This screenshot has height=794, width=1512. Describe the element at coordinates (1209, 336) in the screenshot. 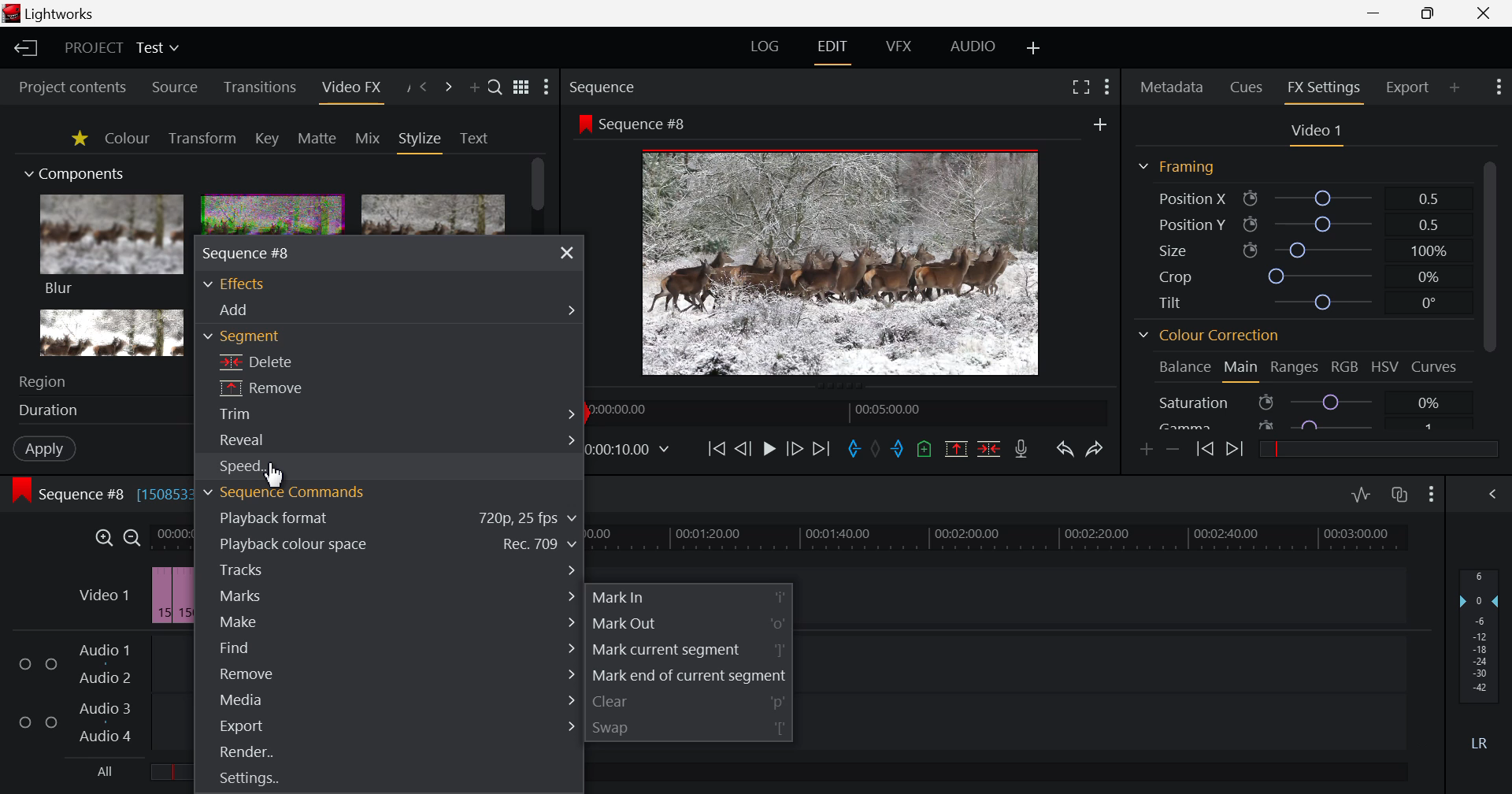

I see `Colour Correction` at that location.